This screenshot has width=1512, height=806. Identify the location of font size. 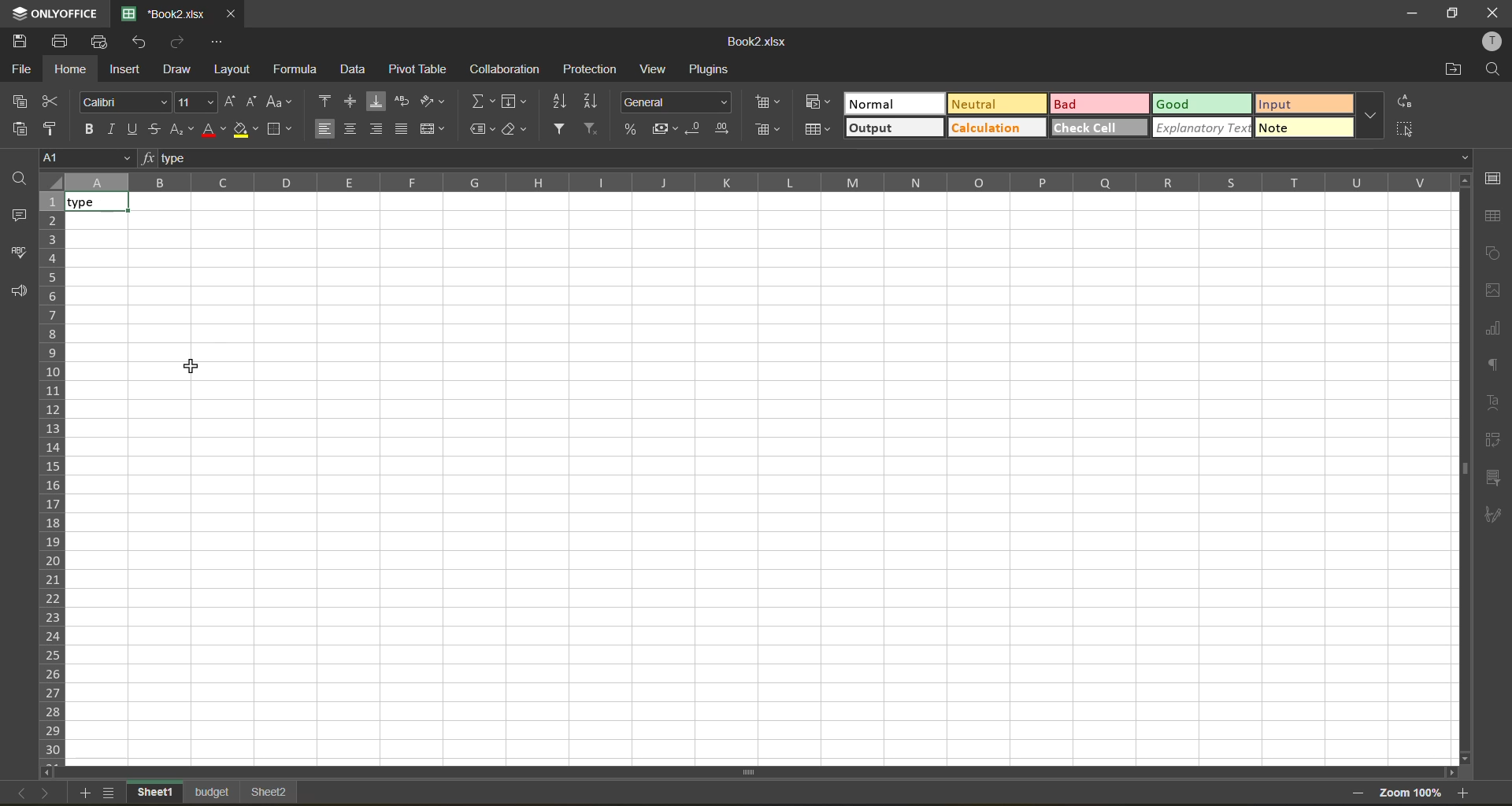
(197, 102).